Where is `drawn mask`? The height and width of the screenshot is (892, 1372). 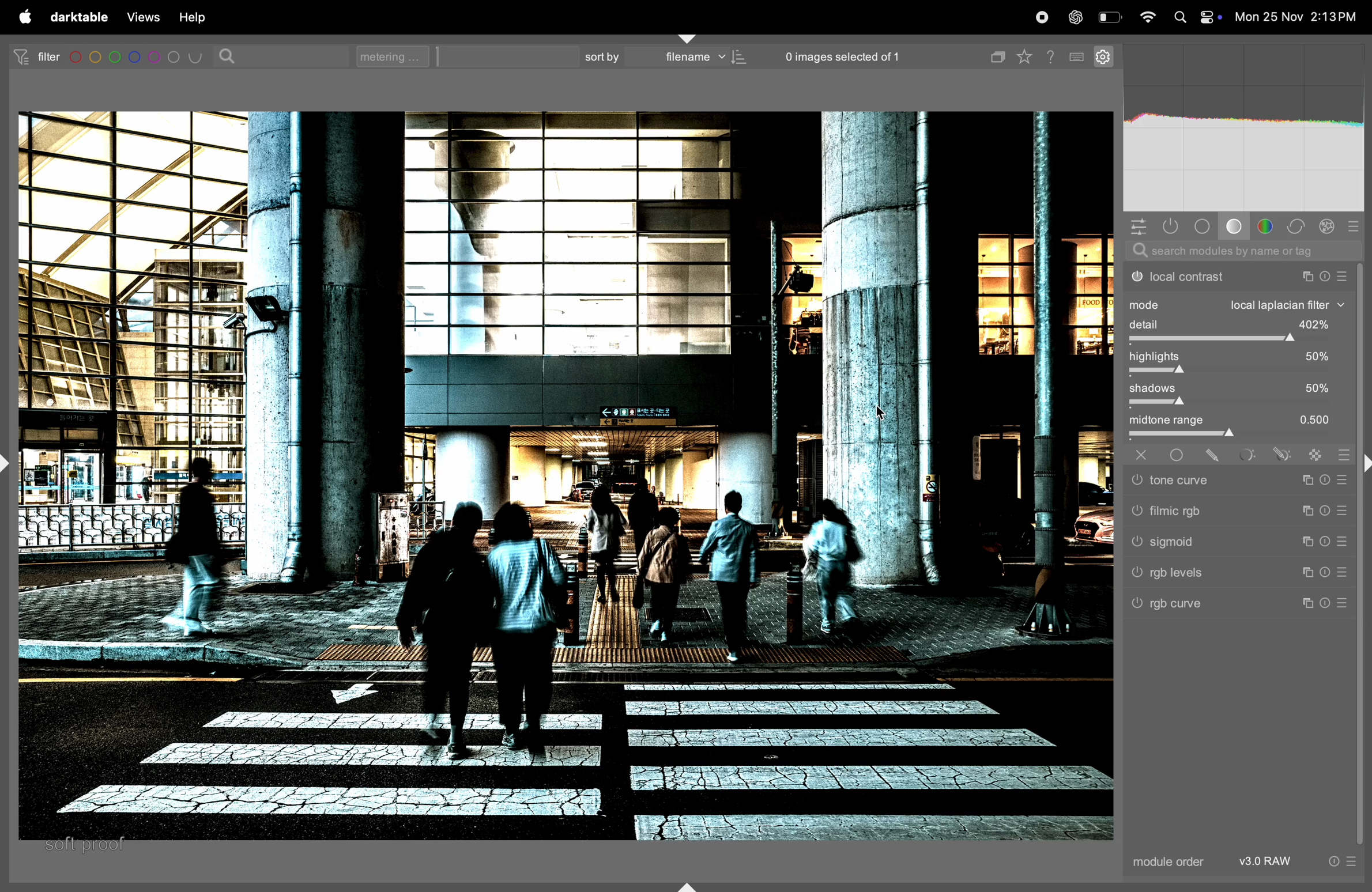
drawn mask is located at coordinates (1216, 456).